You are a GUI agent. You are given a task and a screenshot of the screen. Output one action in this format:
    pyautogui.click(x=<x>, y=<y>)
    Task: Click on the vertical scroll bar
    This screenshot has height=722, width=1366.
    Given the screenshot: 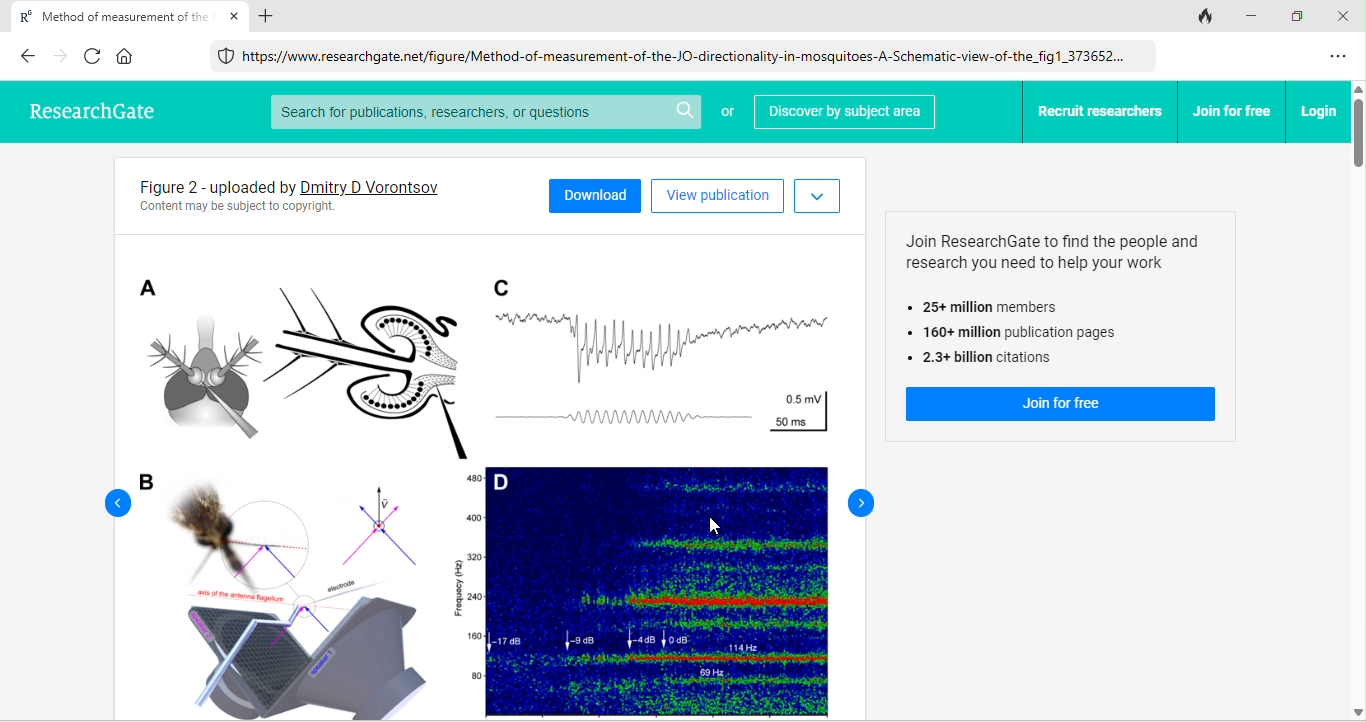 What is the action you would take?
    pyautogui.click(x=1357, y=401)
    